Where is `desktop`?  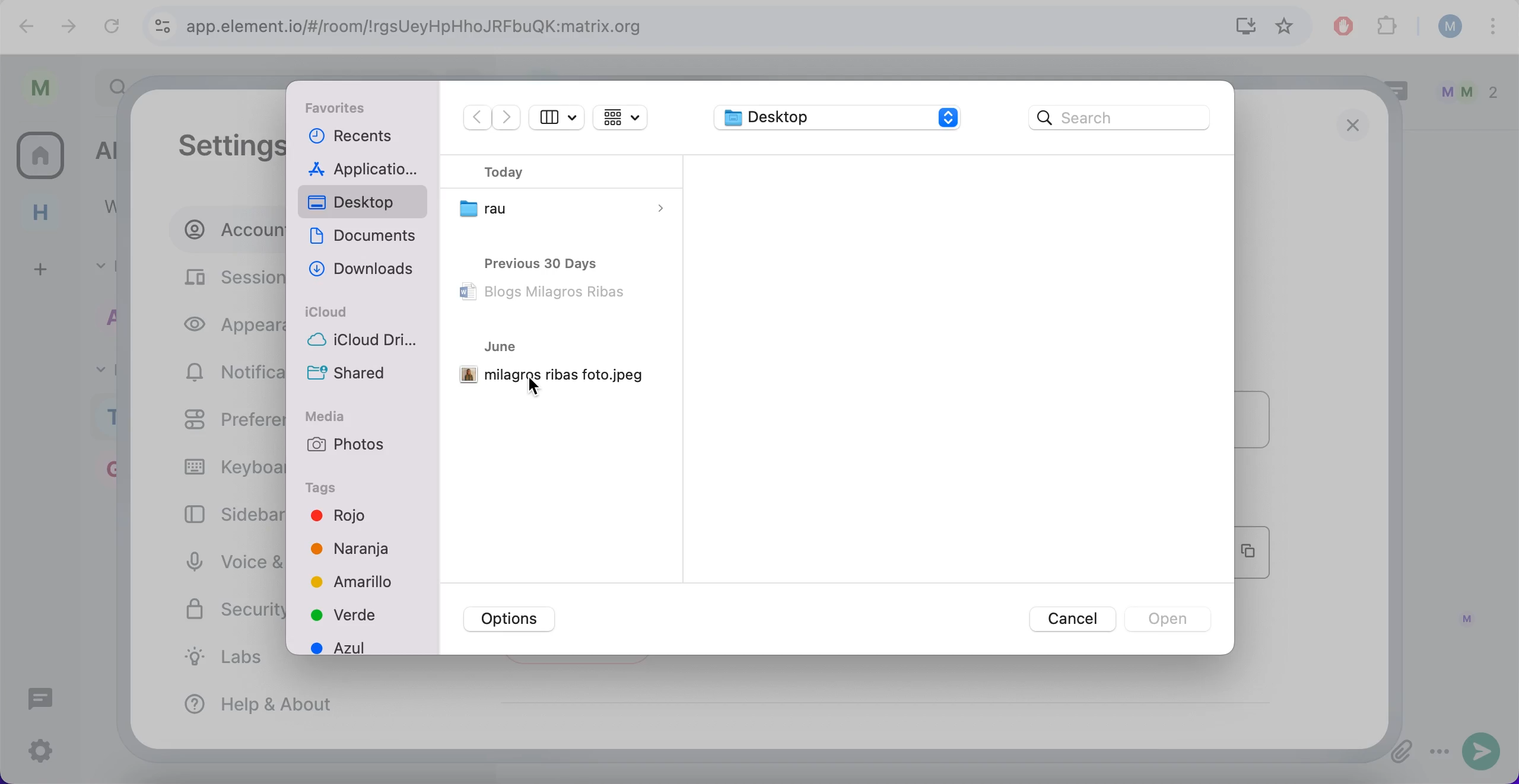
desktop is located at coordinates (840, 119).